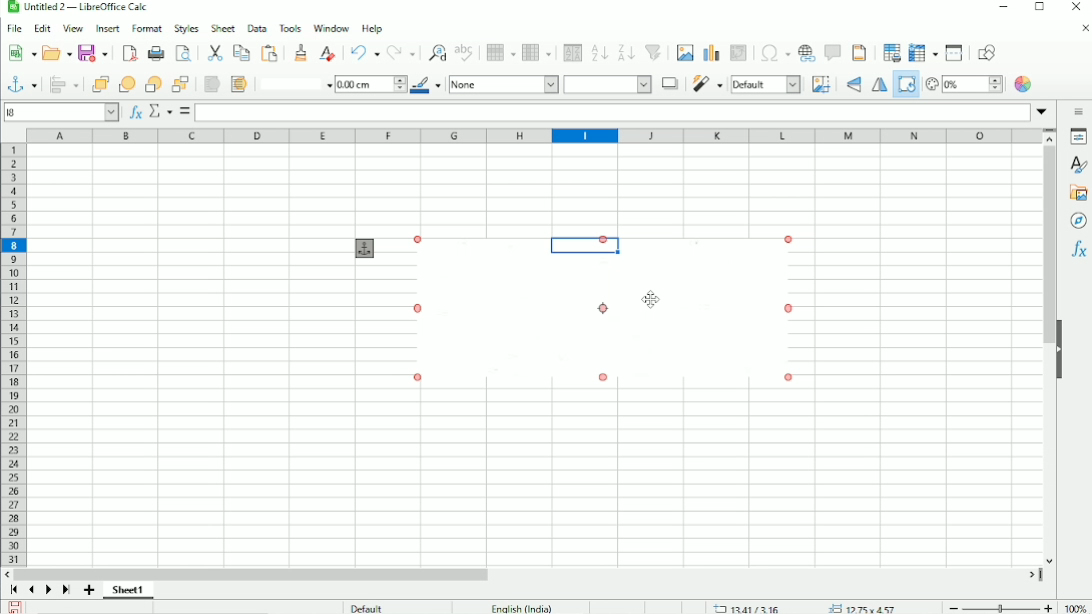 The image size is (1092, 614). What do you see at coordinates (184, 111) in the screenshot?
I see `Formula` at bounding box center [184, 111].